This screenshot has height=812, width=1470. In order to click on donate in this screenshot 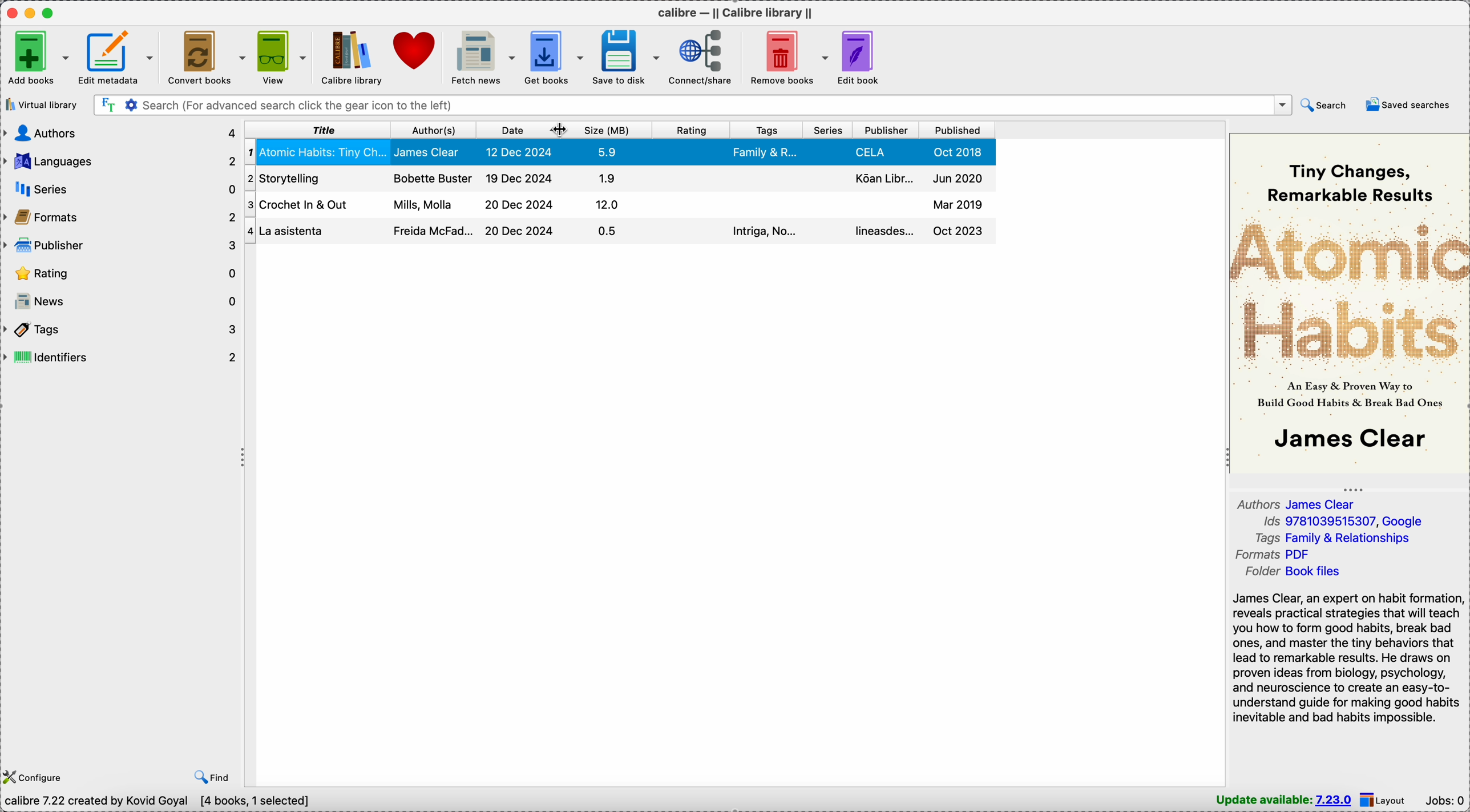, I will do `click(415, 52)`.